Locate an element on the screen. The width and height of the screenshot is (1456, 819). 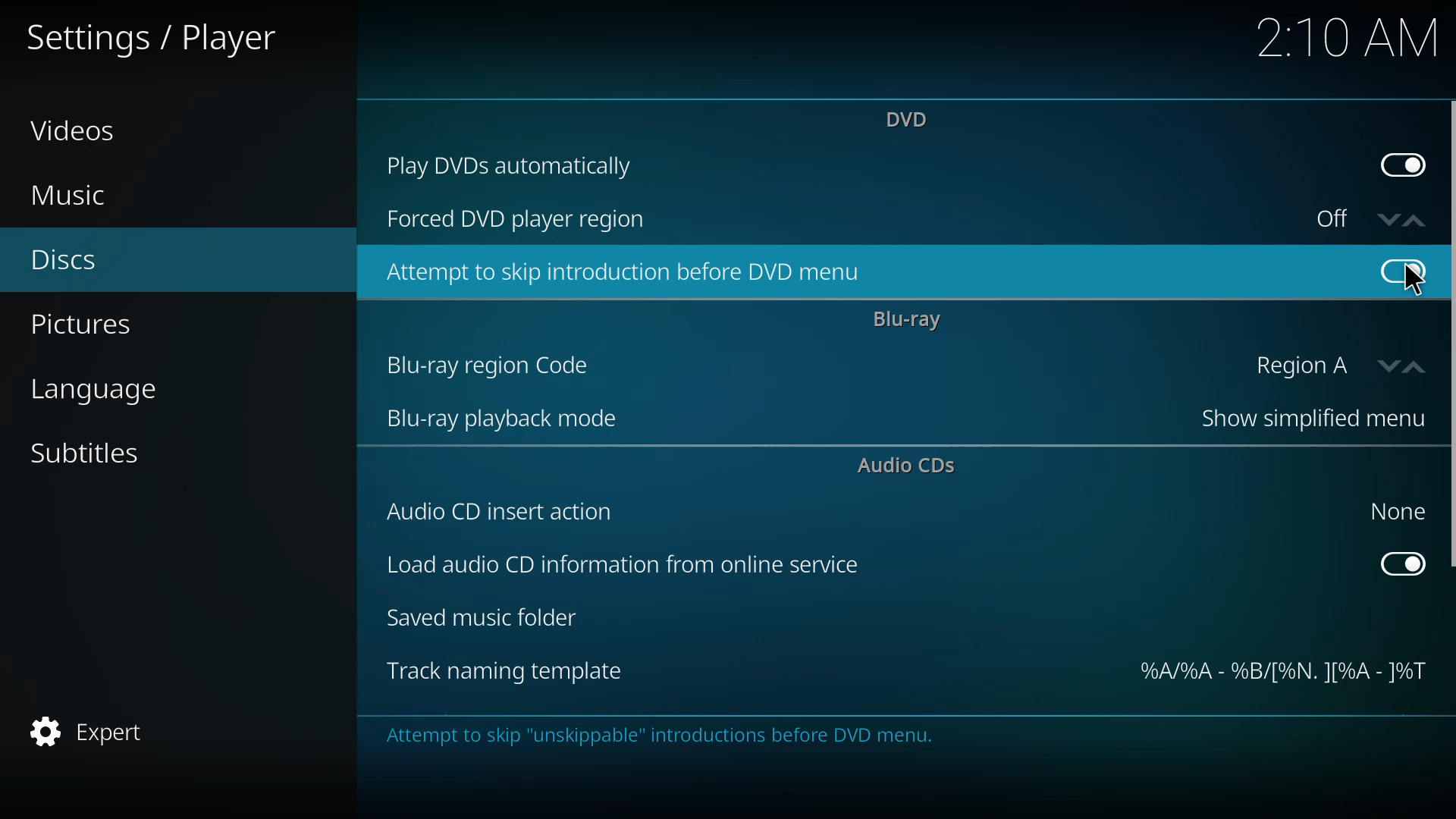
forced dvd player region is located at coordinates (519, 219).